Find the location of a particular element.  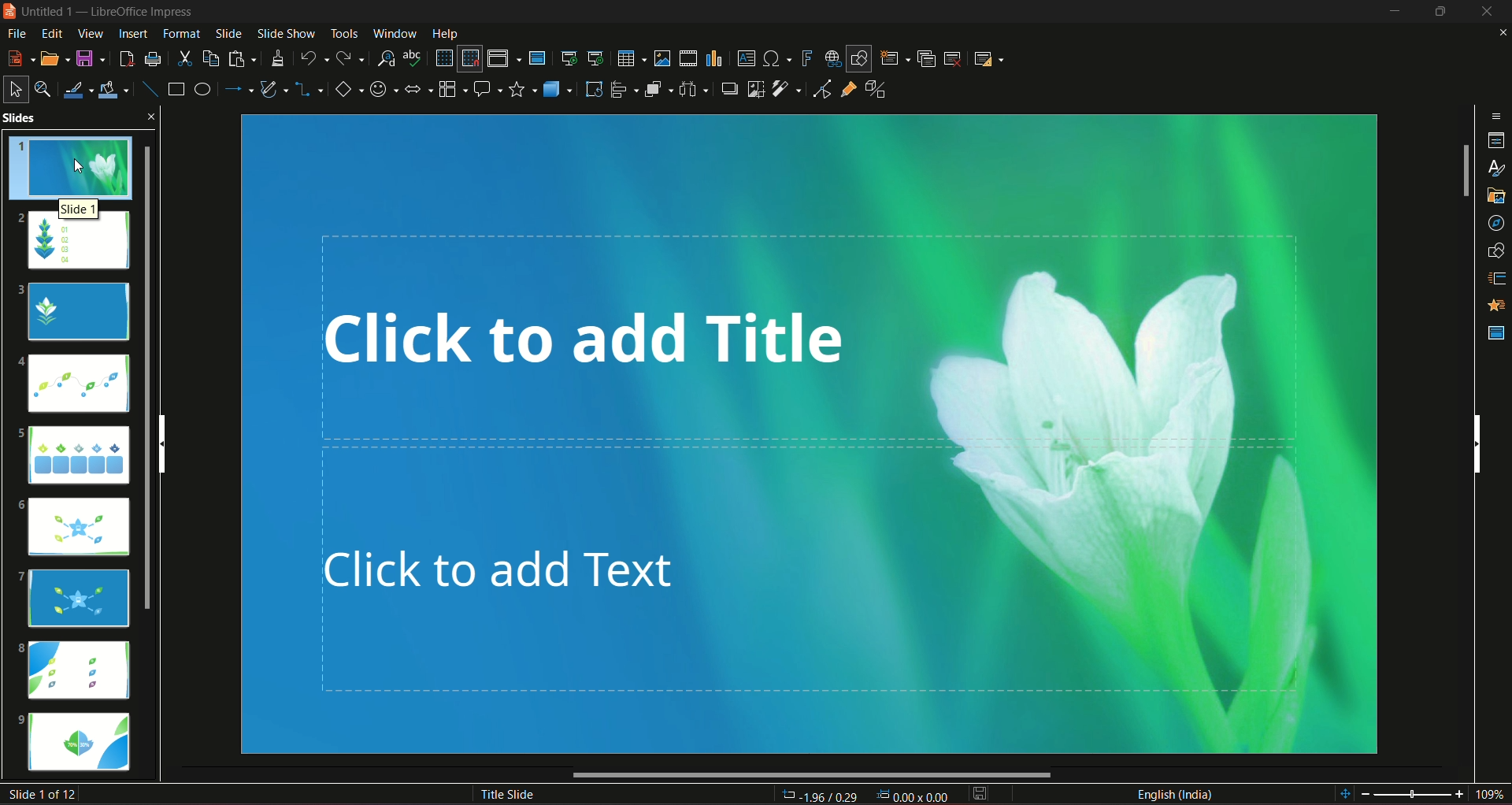

click to add text is located at coordinates (841, 591).